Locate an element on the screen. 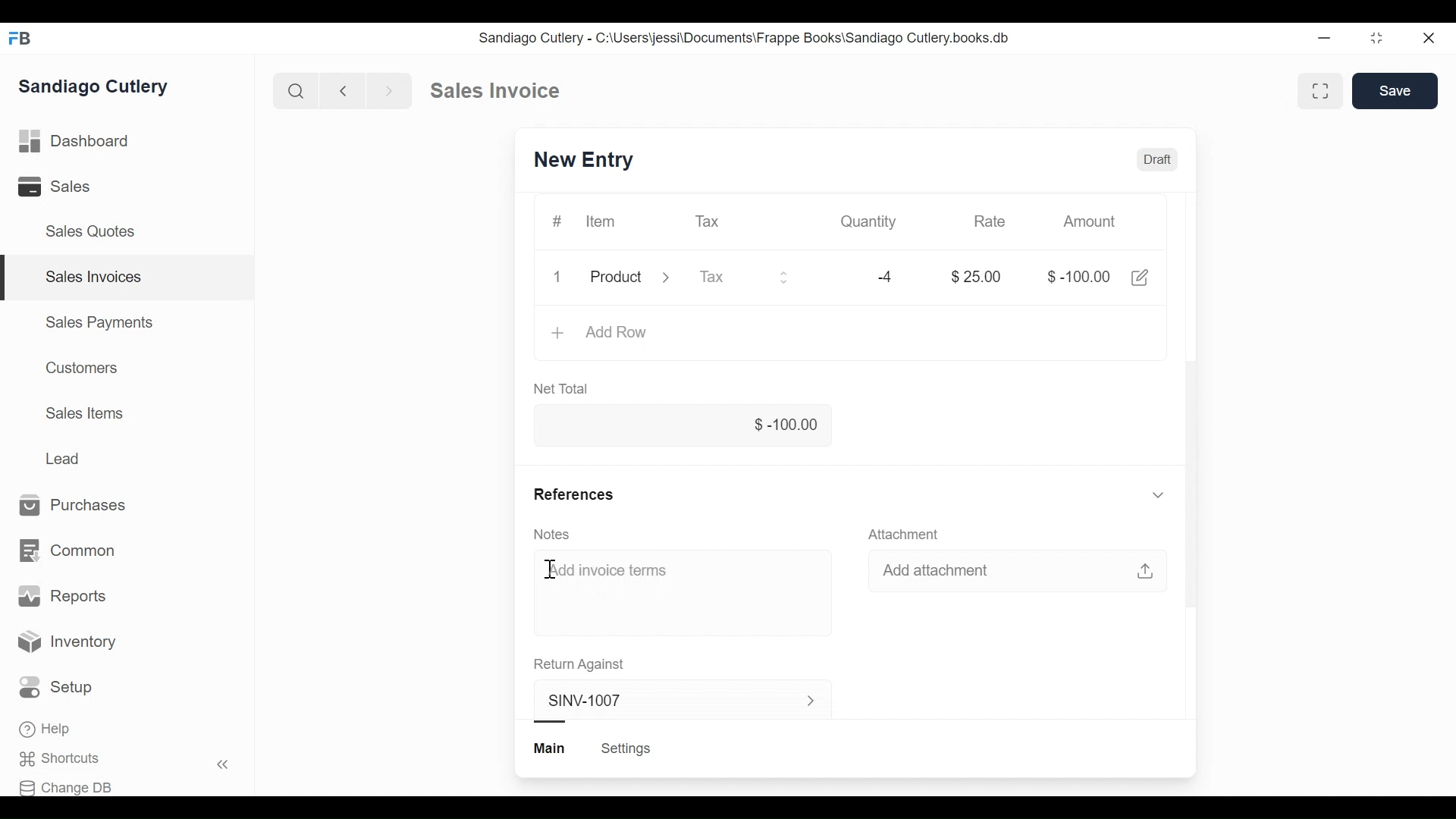  Sales invoice is located at coordinates (494, 91).